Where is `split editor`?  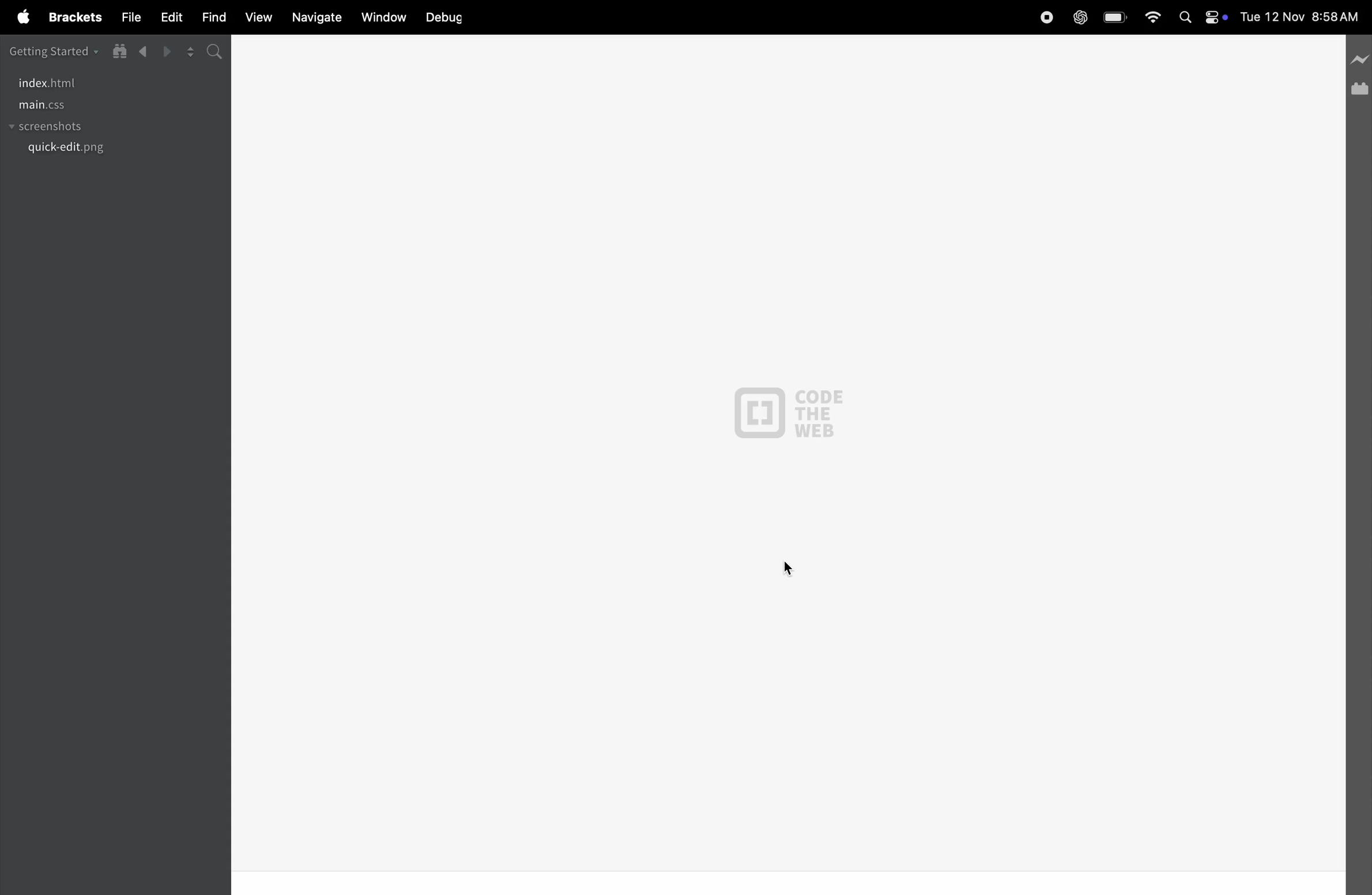 split editor is located at coordinates (190, 52).